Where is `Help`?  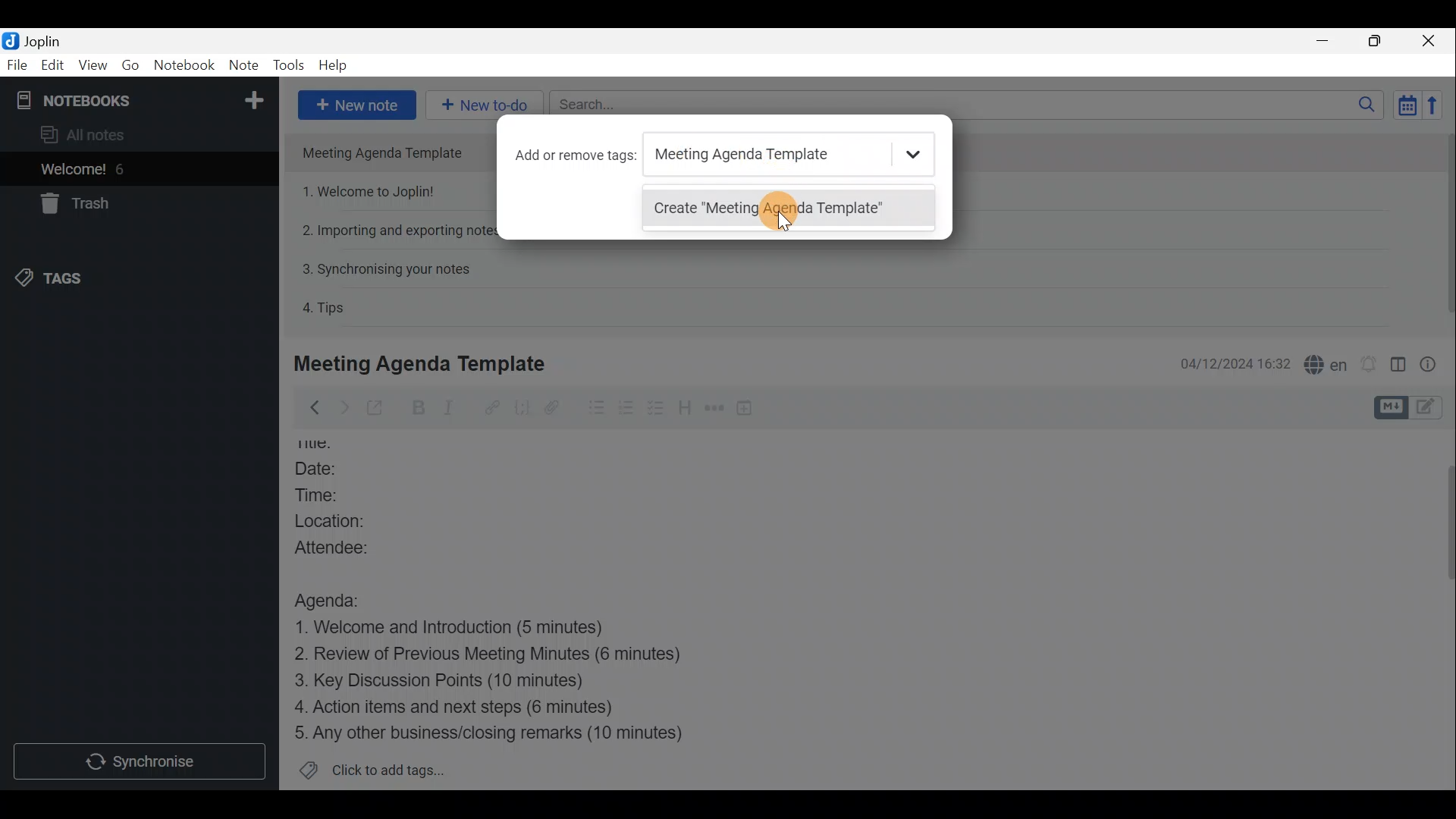
Help is located at coordinates (336, 65).